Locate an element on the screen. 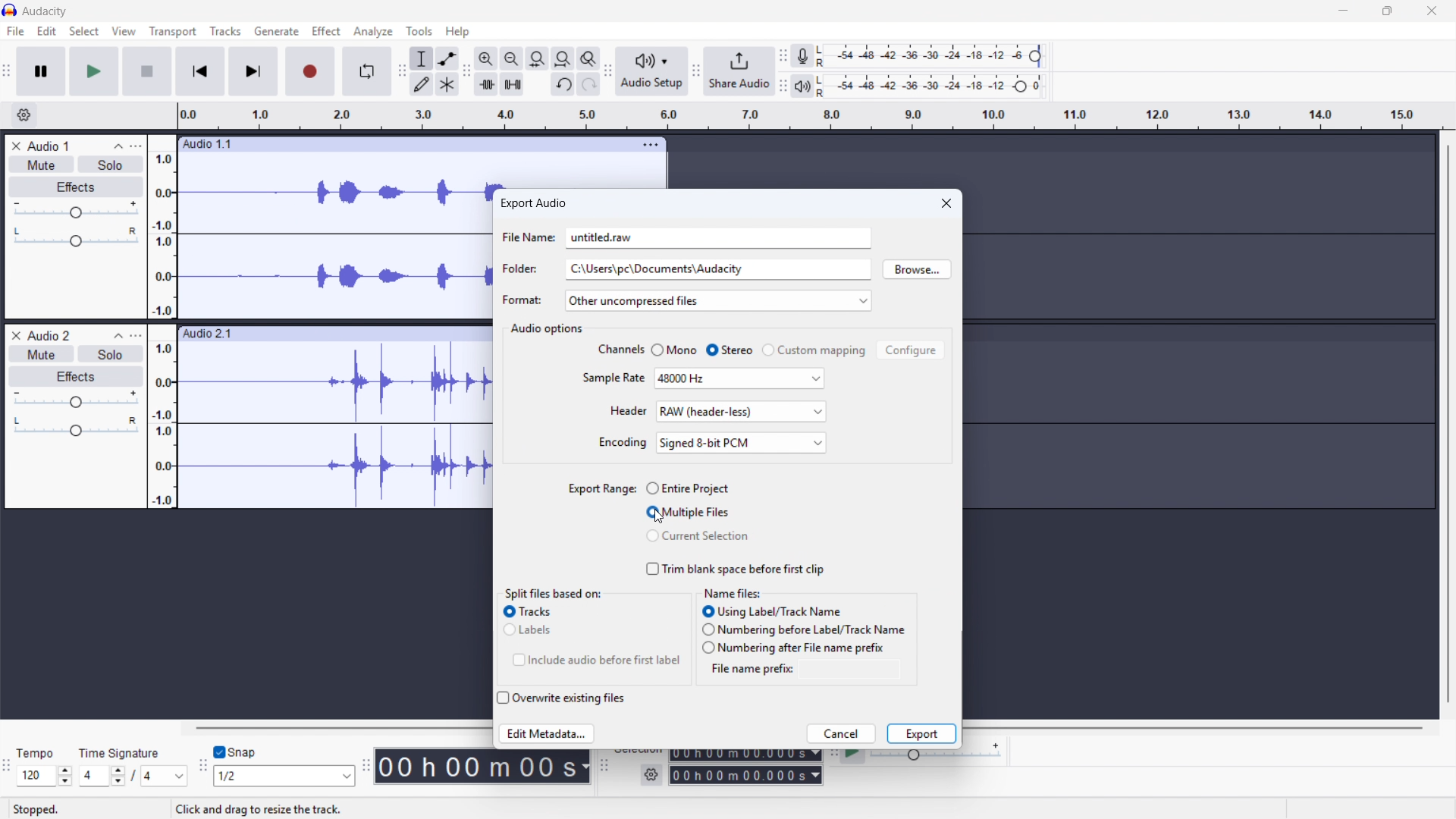 This screenshot has height=819, width=1456. Audacity is located at coordinates (46, 11).